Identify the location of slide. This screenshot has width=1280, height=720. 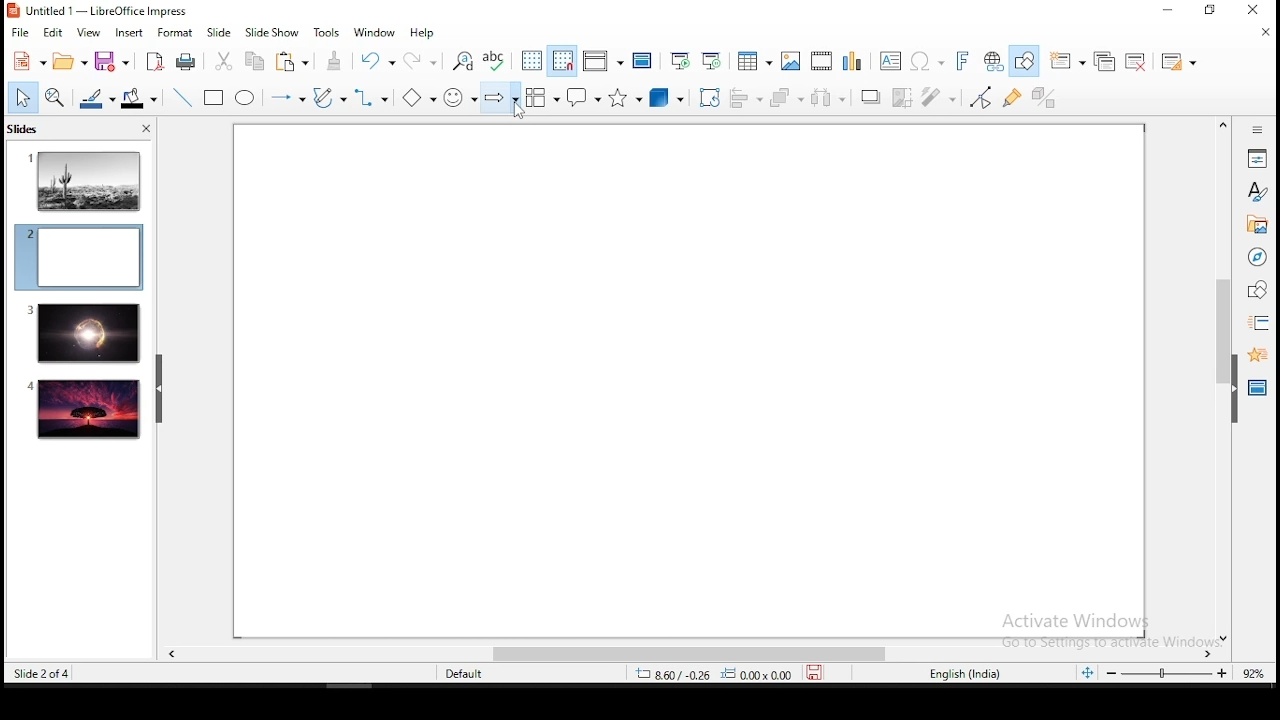
(85, 410).